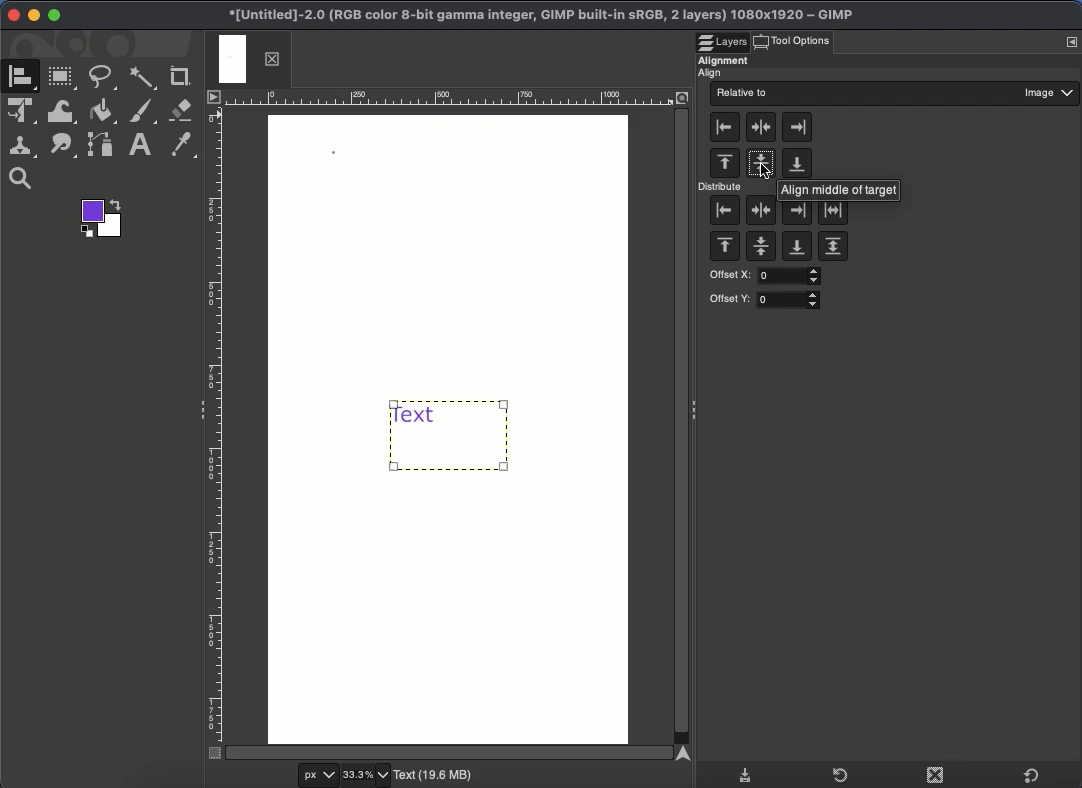 This screenshot has width=1082, height=788. What do you see at coordinates (726, 127) in the screenshot?
I see `Align to the left` at bounding box center [726, 127].